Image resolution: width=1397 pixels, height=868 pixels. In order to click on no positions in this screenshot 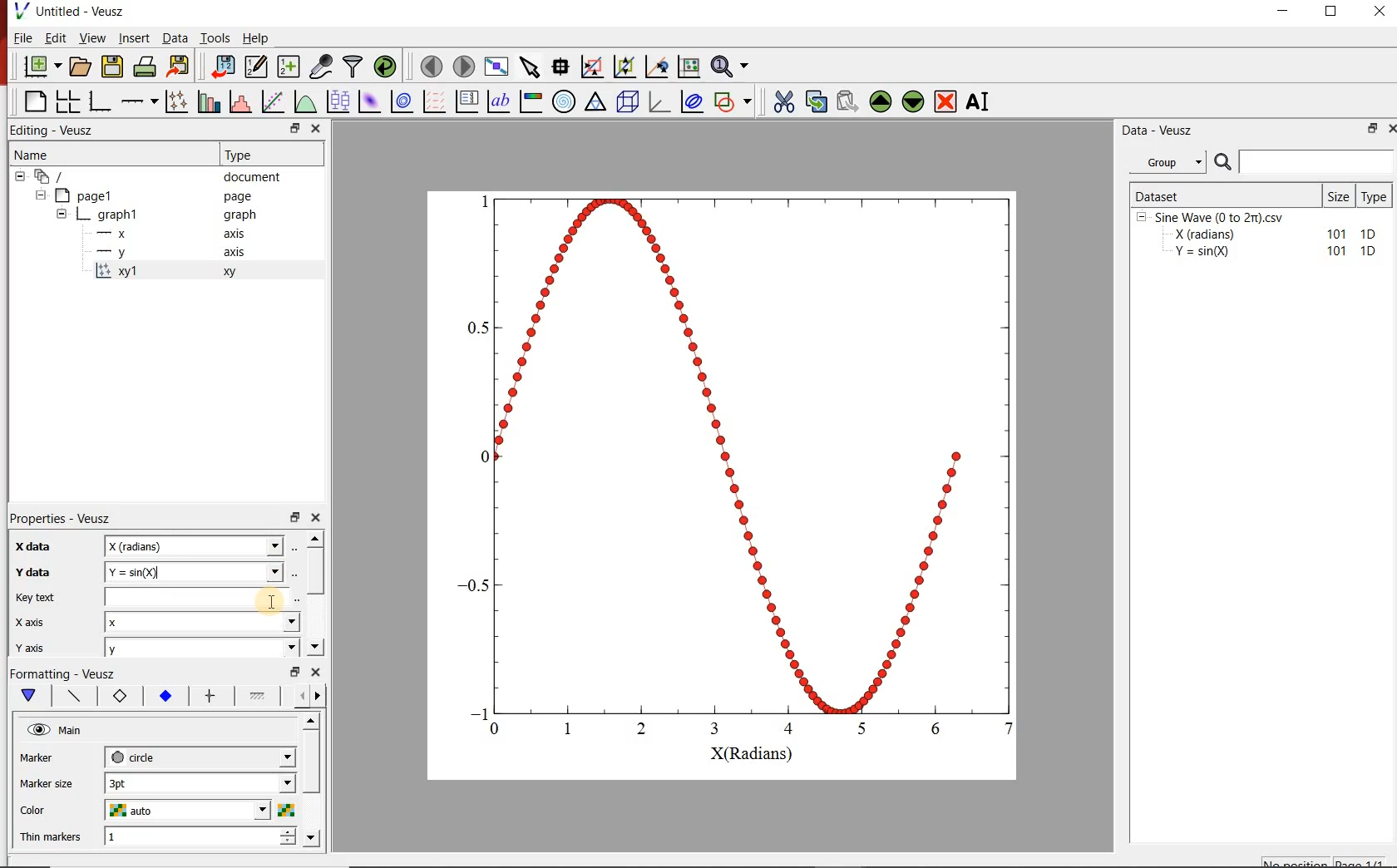, I will do `click(1325, 861)`.